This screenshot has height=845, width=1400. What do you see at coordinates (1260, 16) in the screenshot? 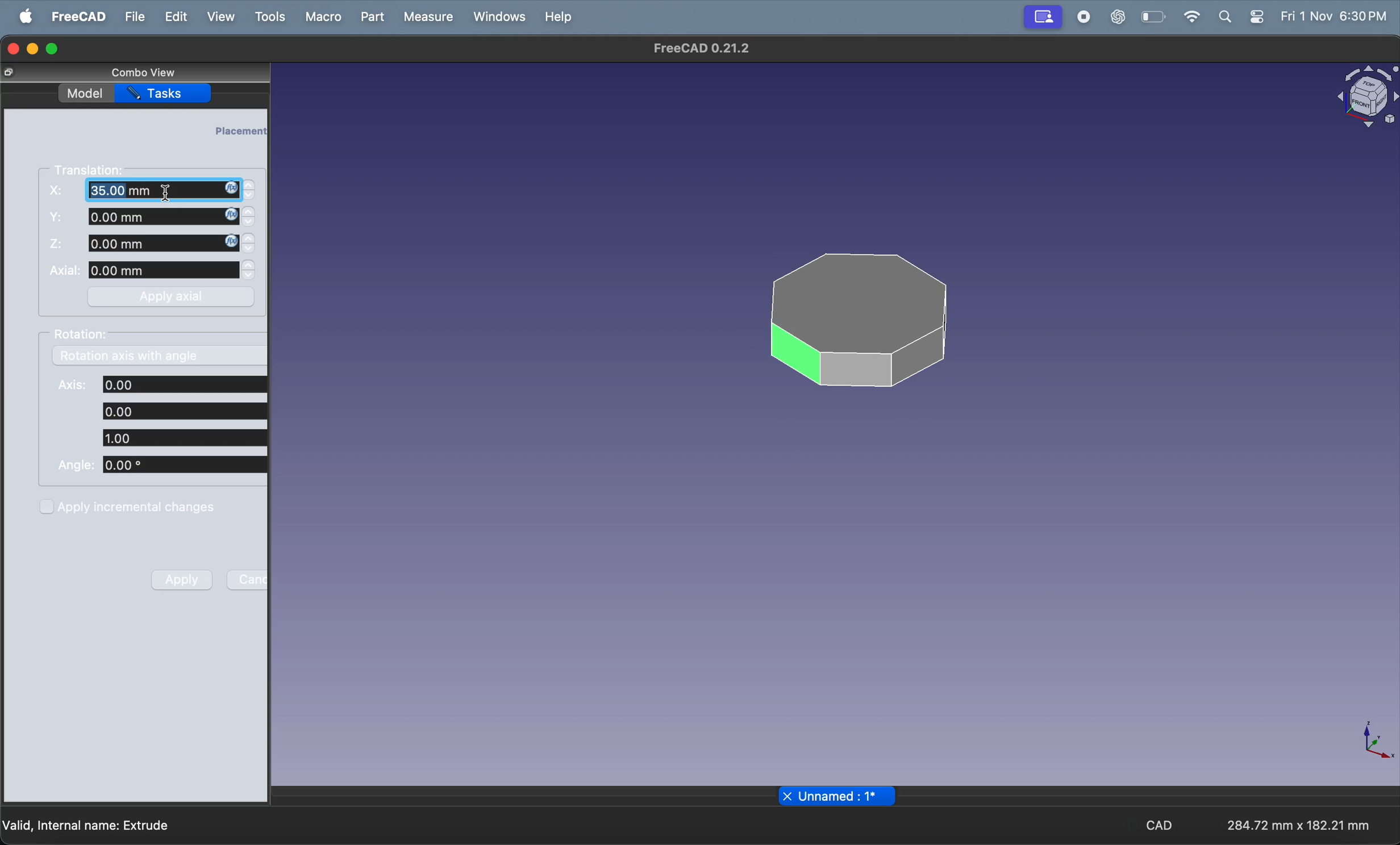
I see `apple widgets` at bounding box center [1260, 16].